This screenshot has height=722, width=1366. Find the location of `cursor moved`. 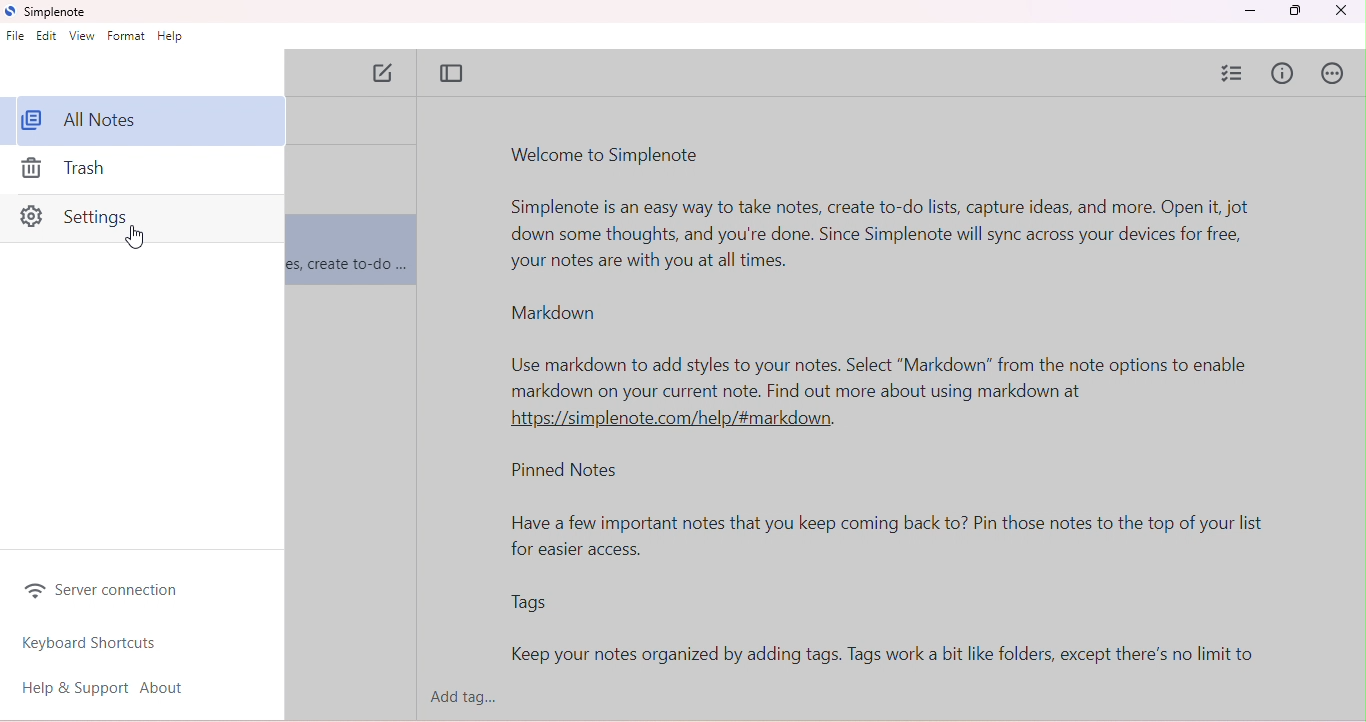

cursor moved is located at coordinates (136, 238).